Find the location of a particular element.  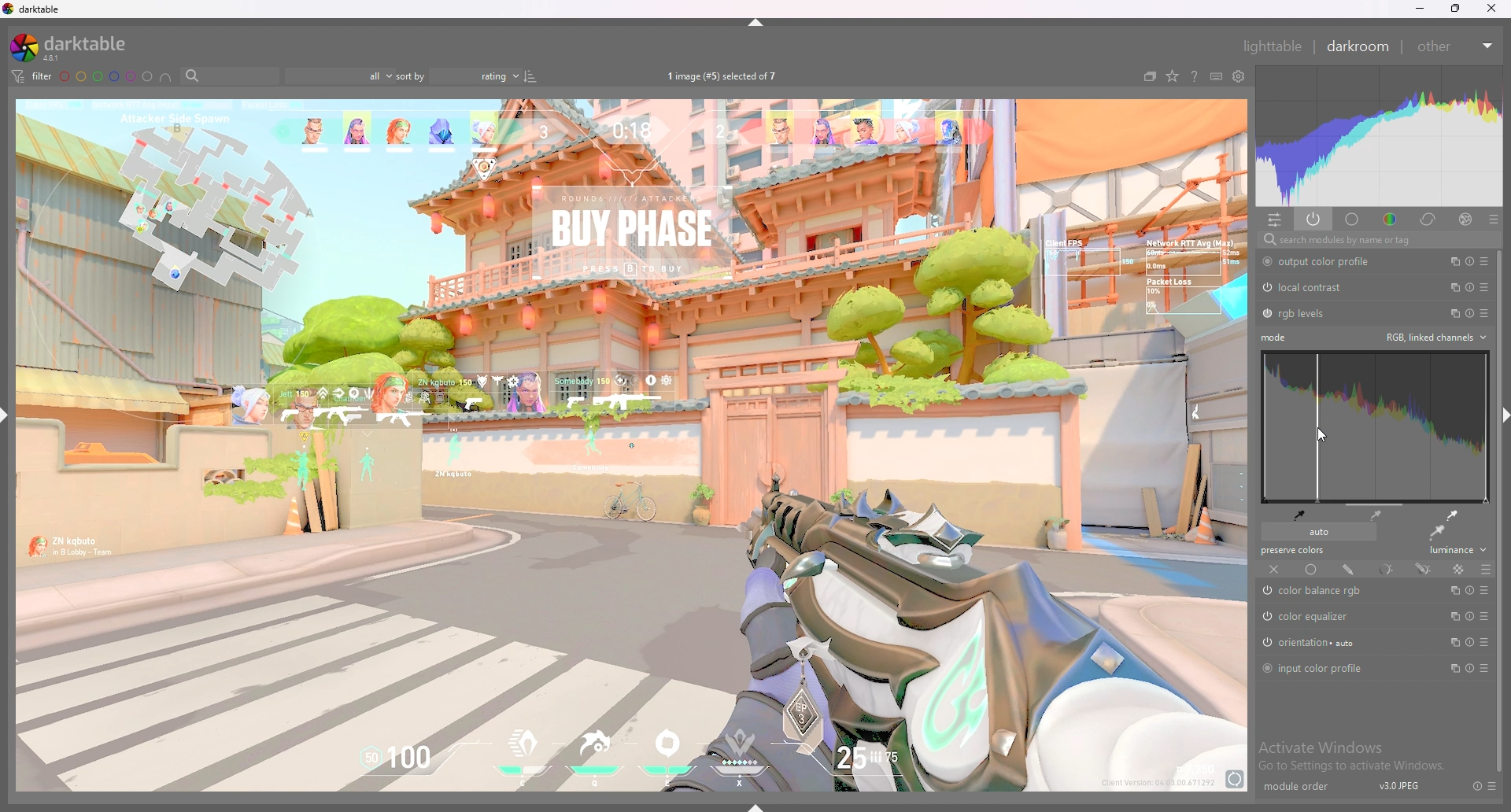

multiple instances action is located at coordinates (1450, 286).